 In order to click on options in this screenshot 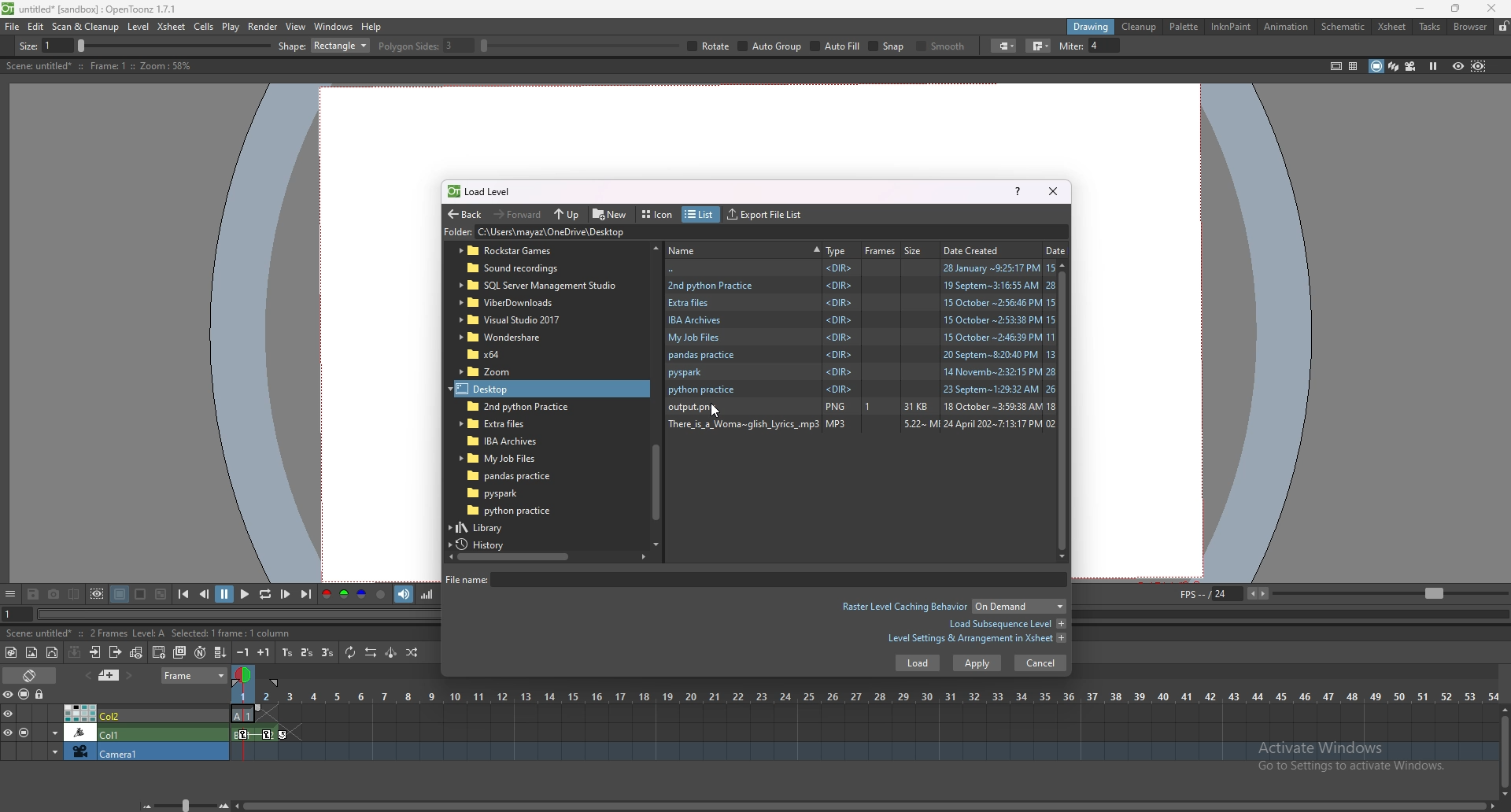, I will do `click(10, 595)`.